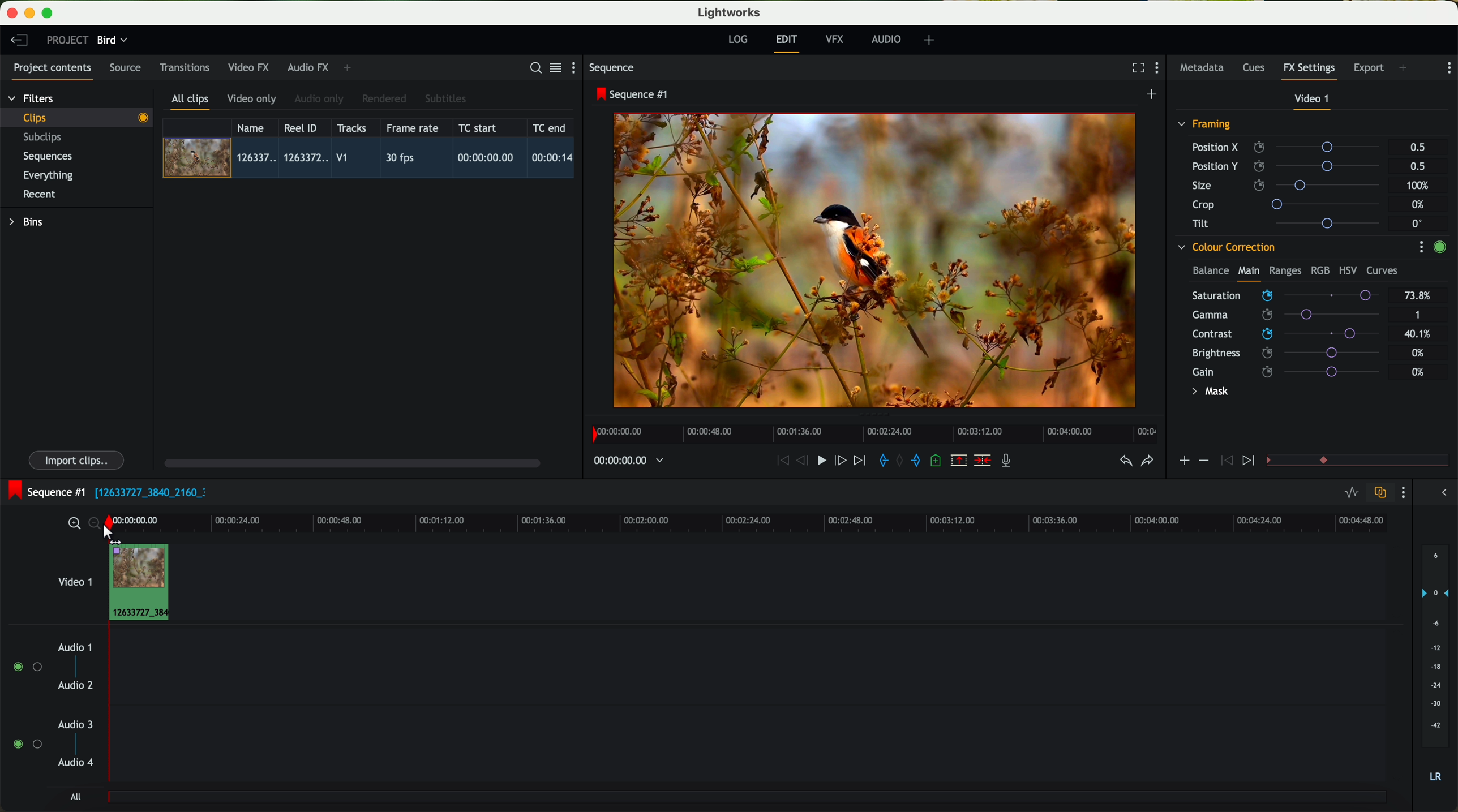 The width and height of the screenshot is (1458, 812). I want to click on show/hide the full audio mix, so click(1440, 493).